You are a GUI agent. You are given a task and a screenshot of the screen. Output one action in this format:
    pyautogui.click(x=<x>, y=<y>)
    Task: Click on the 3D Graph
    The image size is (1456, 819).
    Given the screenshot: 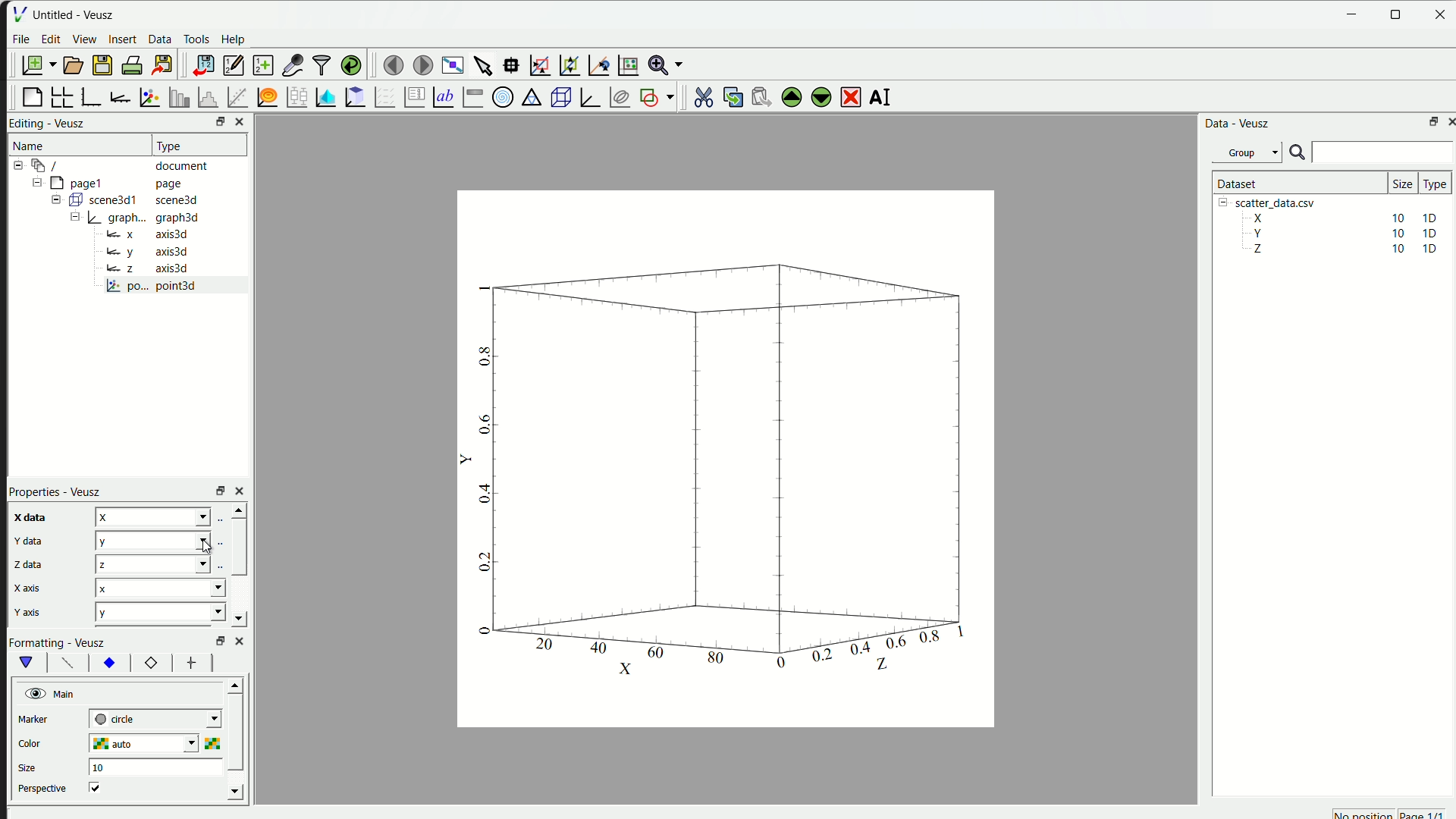 What is the action you would take?
    pyautogui.click(x=587, y=96)
    